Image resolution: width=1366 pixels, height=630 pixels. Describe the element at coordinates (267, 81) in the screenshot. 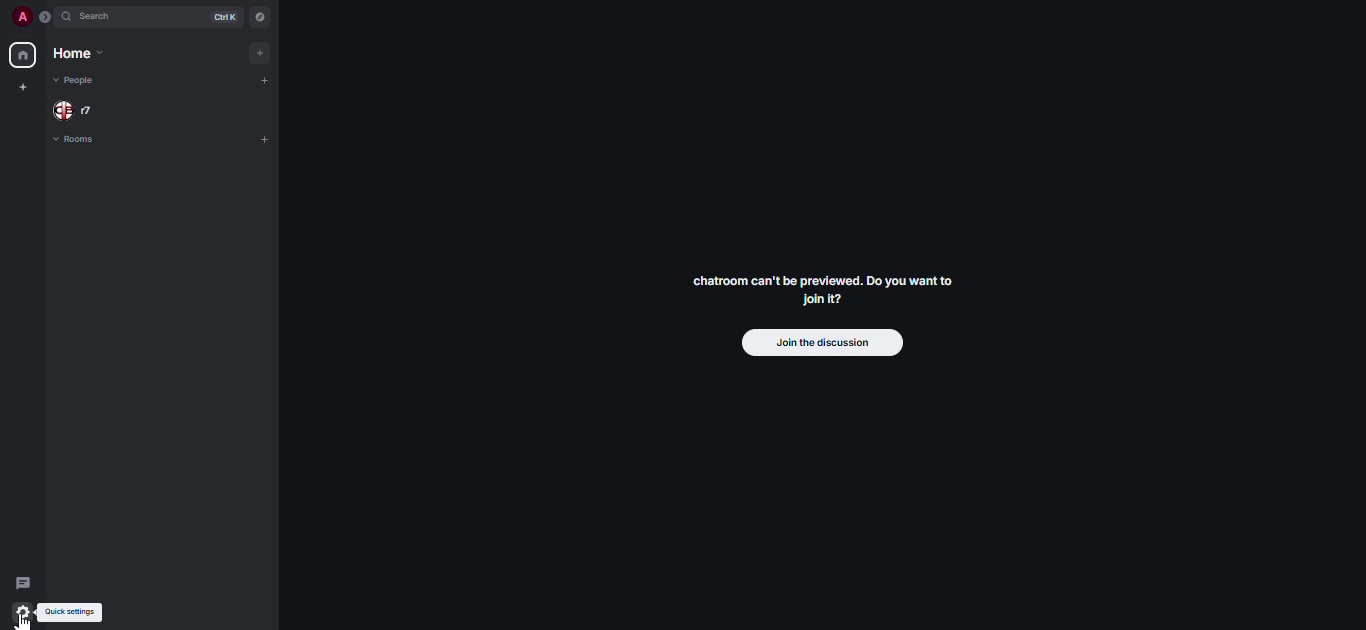

I see `add` at that location.